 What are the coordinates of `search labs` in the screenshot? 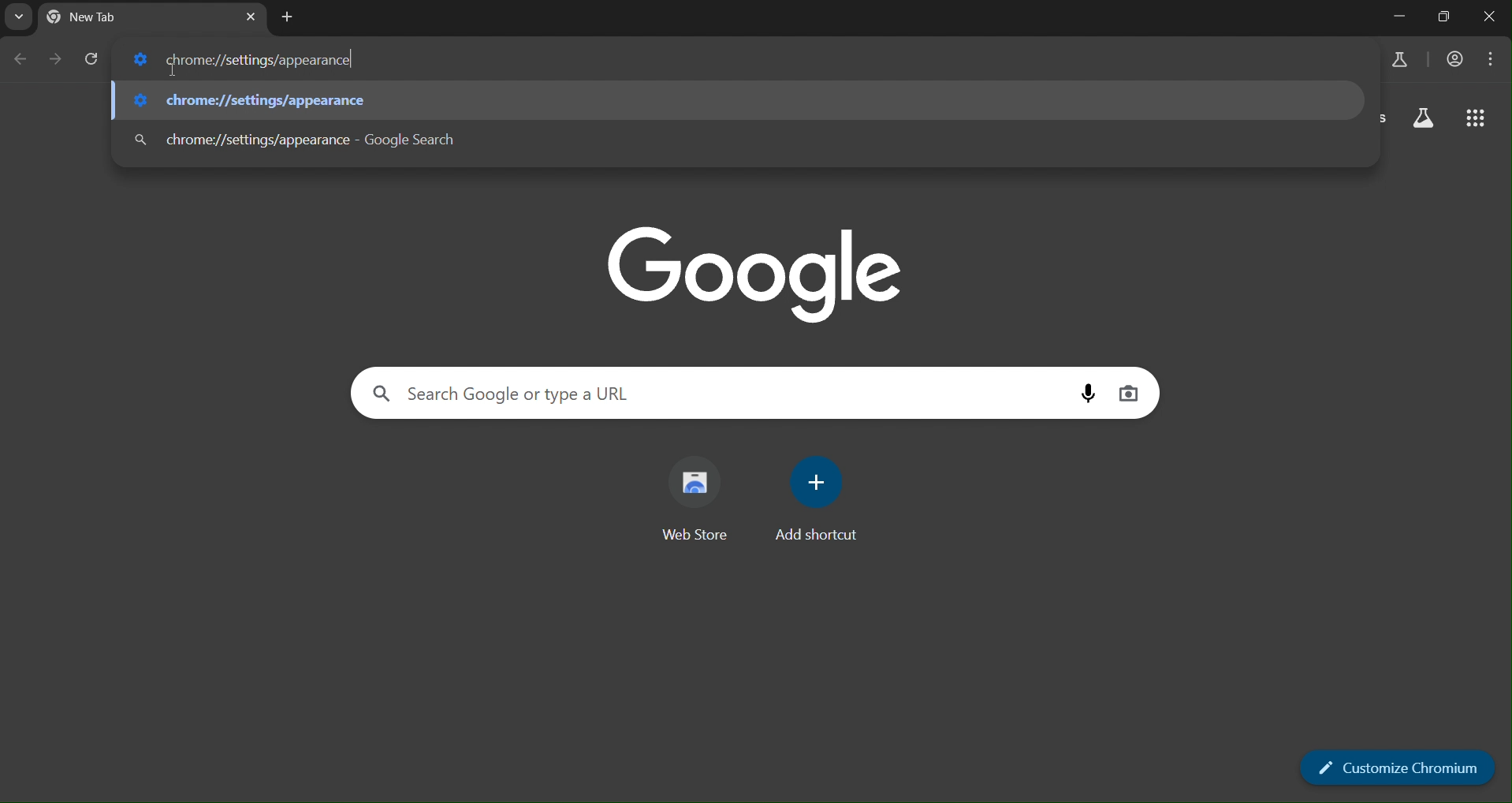 It's located at (1395, 60).